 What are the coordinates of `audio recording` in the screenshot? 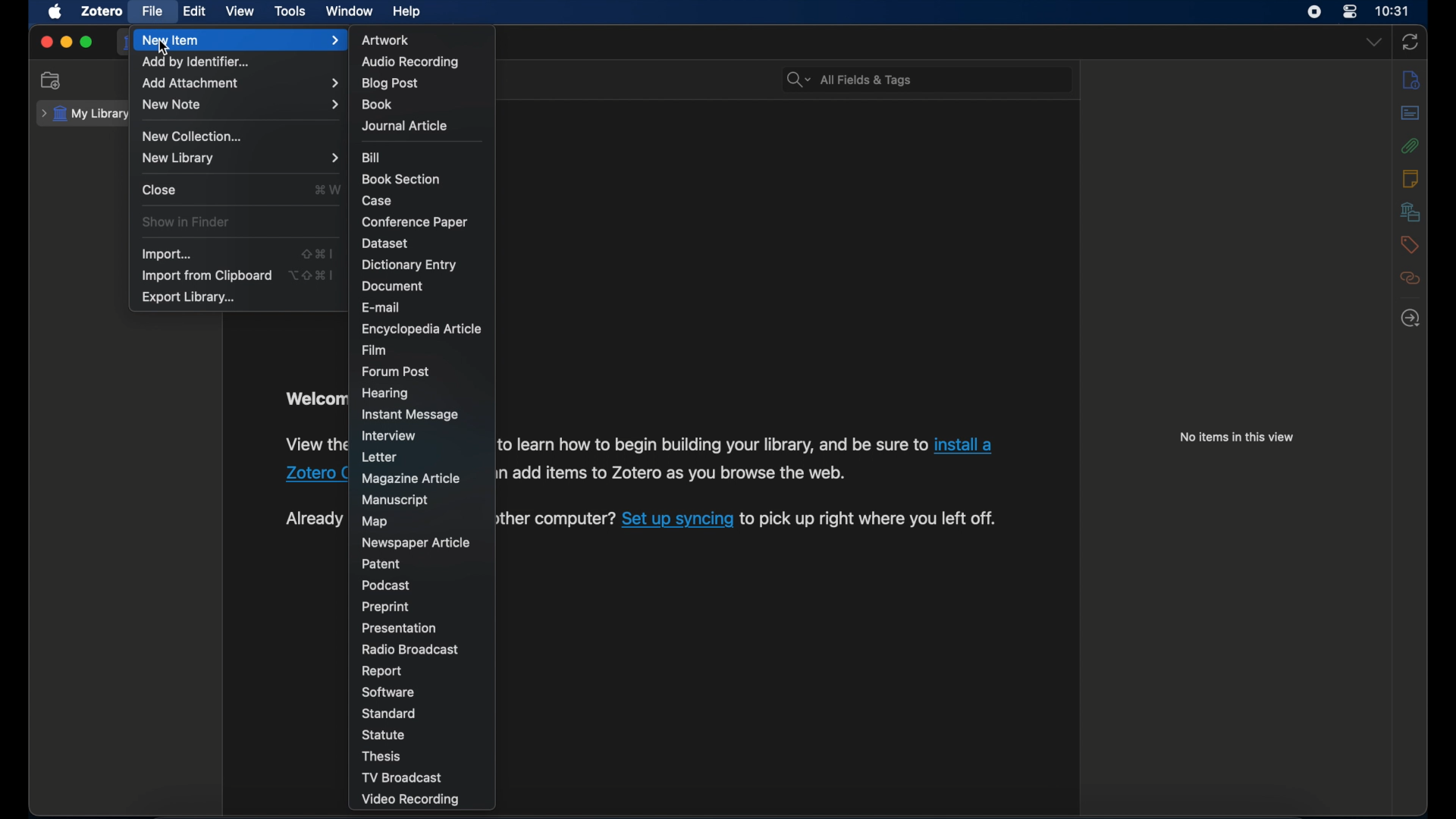 It's located at (410, 63).